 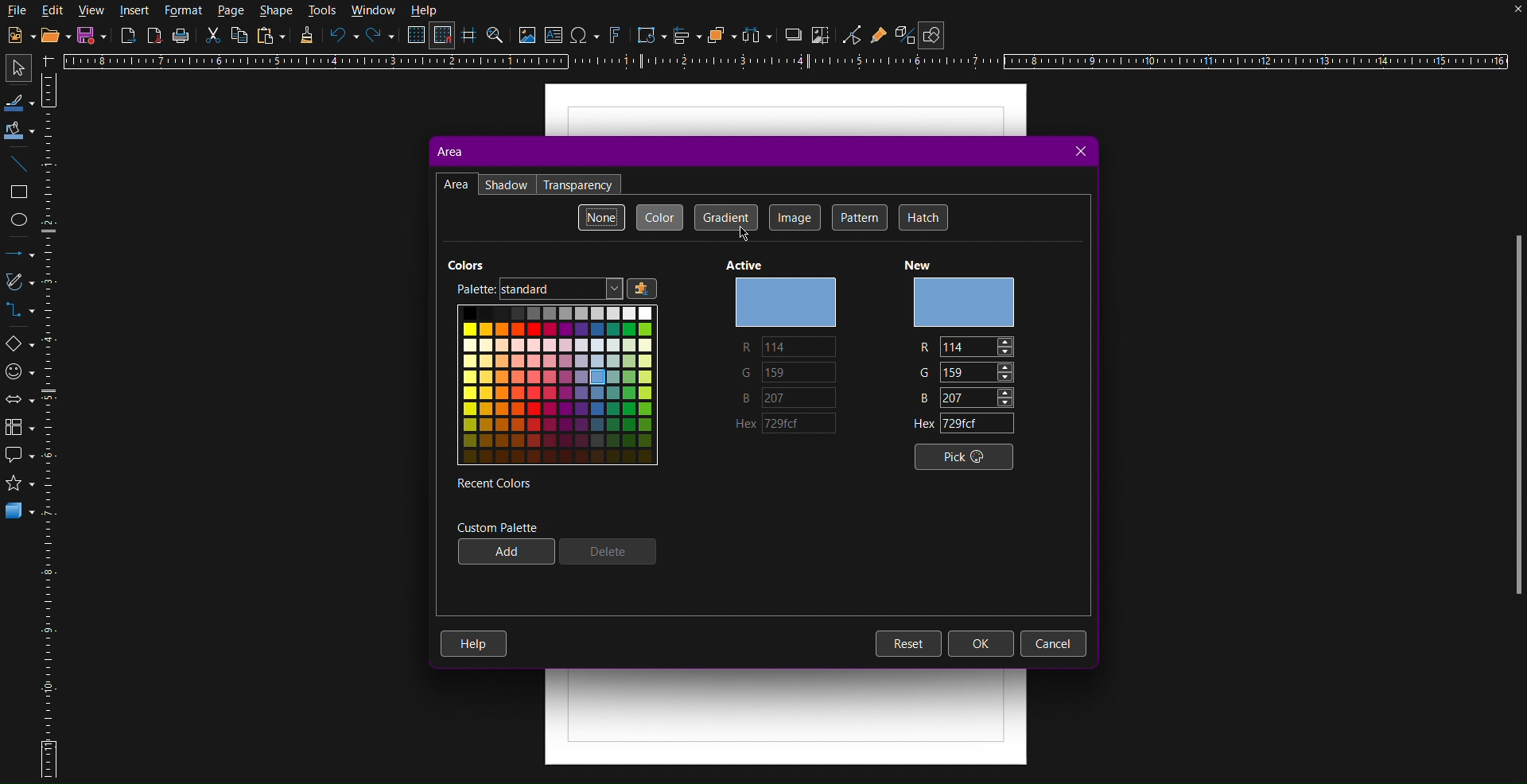 What do you see at coordinates (19, 192) in the screenshot?
I see `Square` at bounding box center [19, 192].